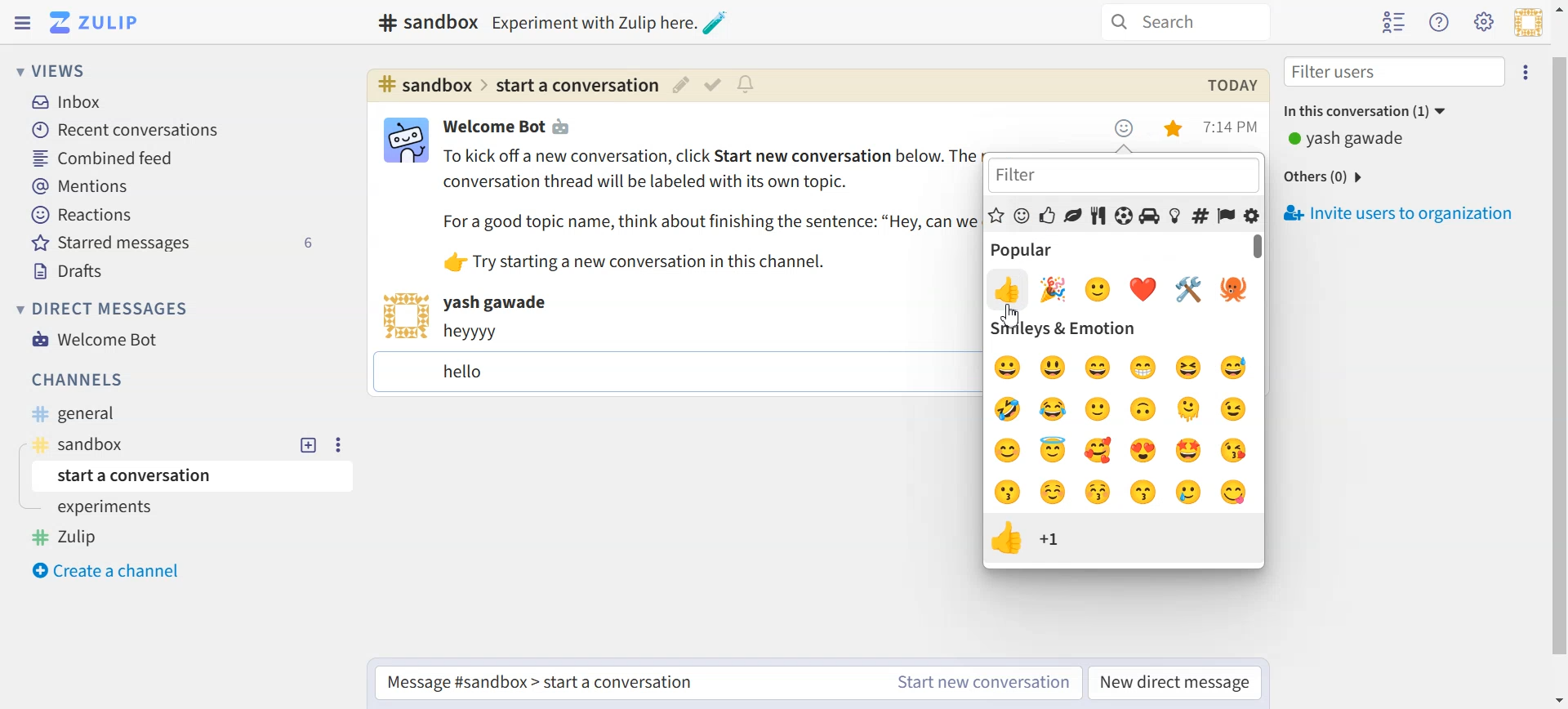 This screenshot has height=709, width=1568. I want to click on blush, so click(1007, 453).